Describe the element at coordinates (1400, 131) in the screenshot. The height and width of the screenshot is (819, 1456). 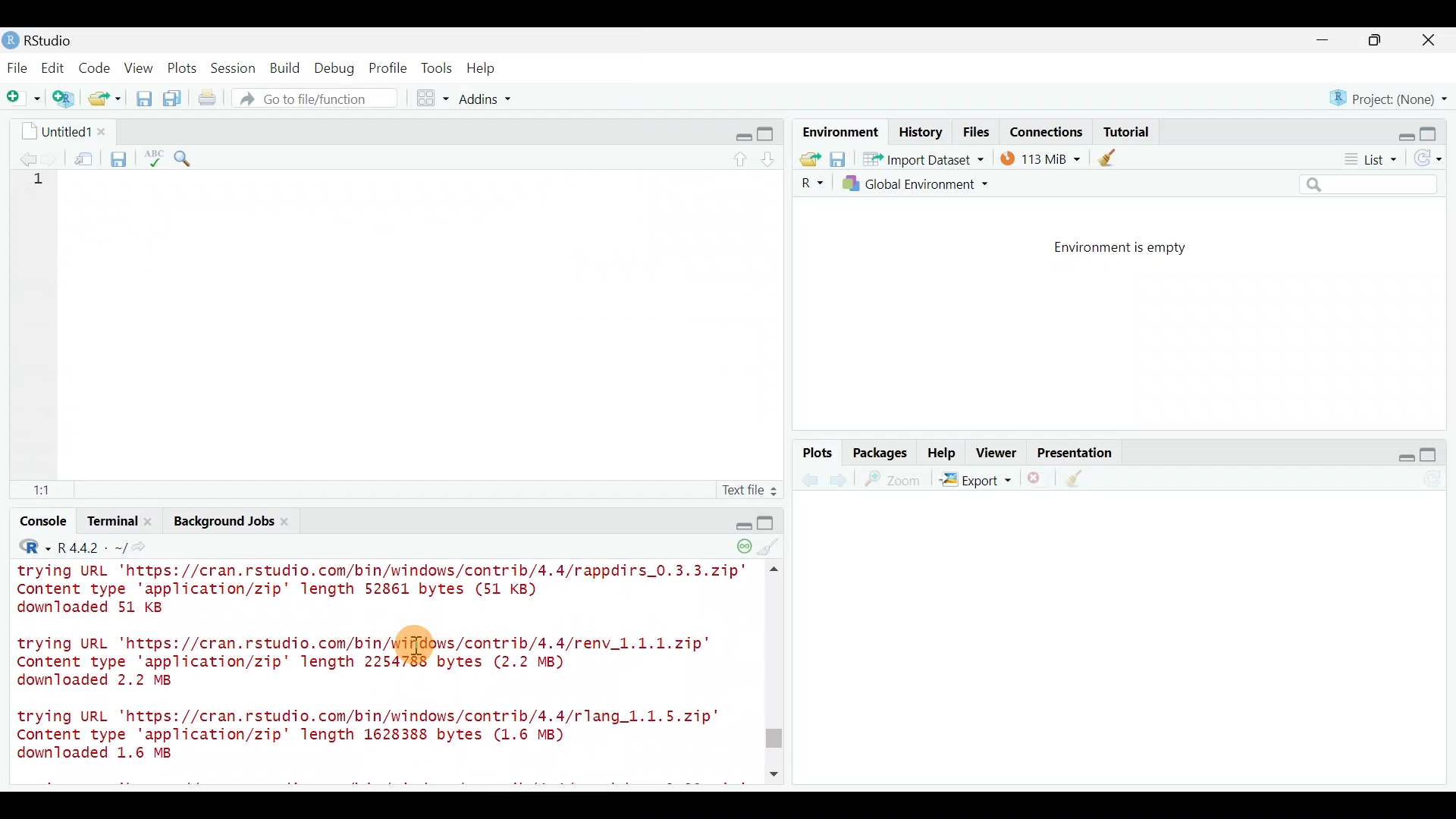
I see `Restore down` at that location.